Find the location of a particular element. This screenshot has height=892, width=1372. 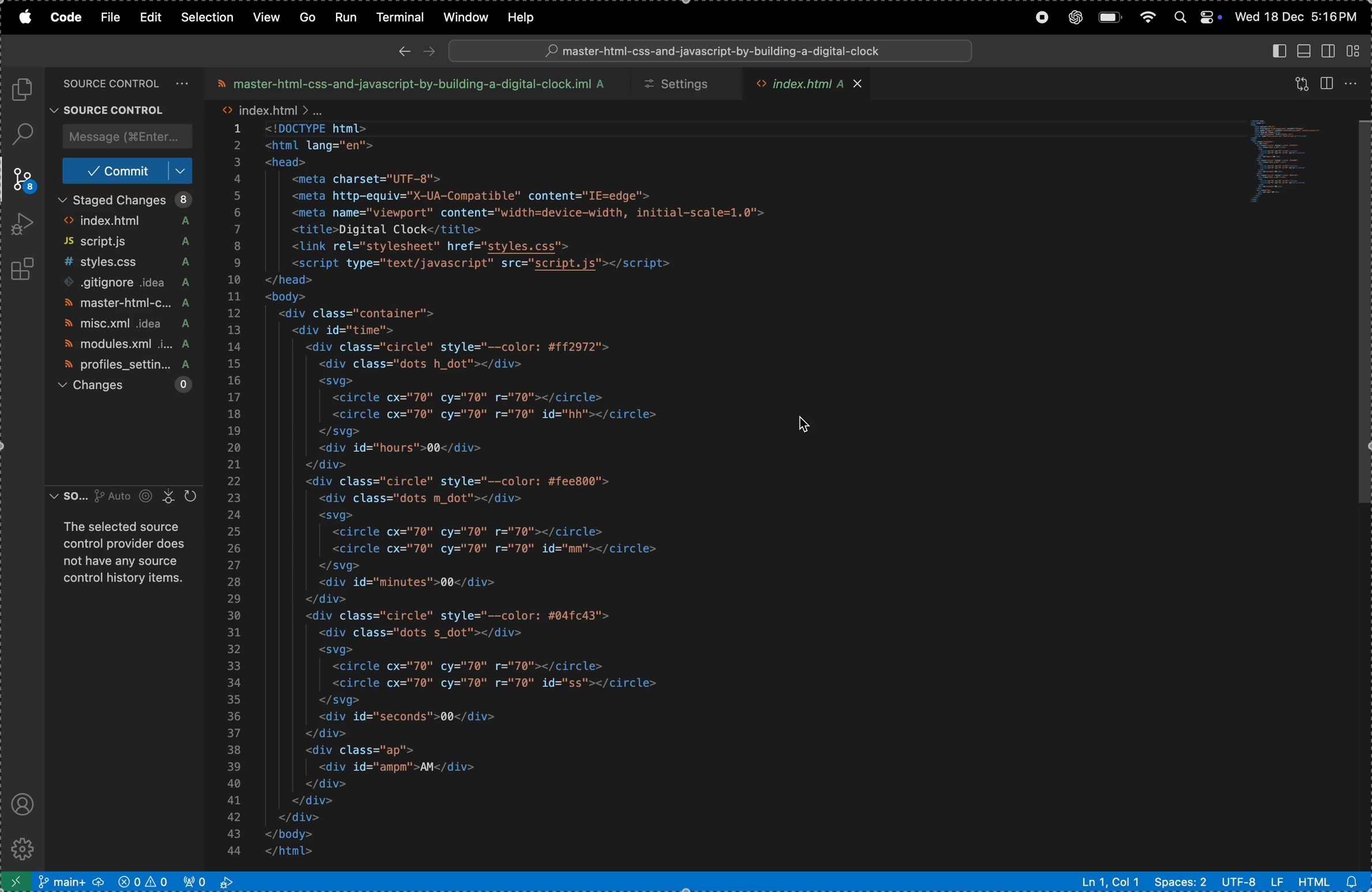

<head> is located at coordinates (289, 164).